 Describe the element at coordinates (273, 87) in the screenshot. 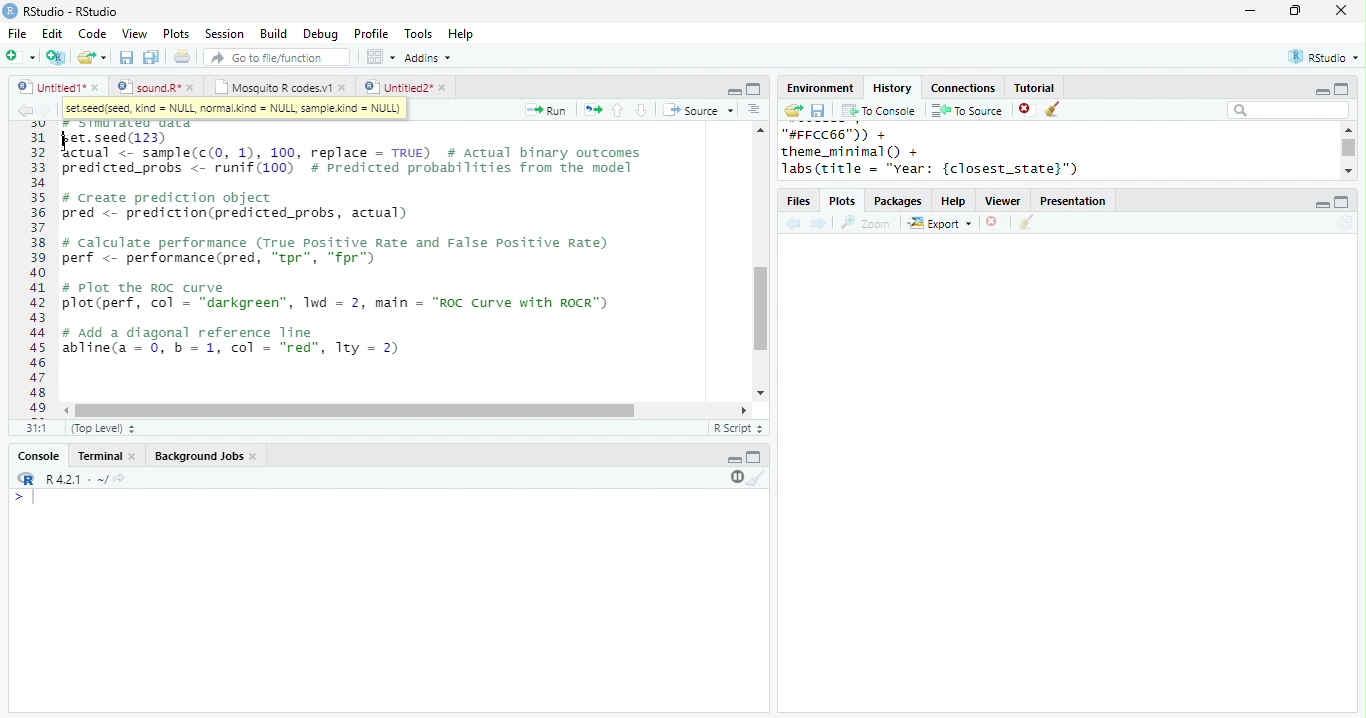

I see `Mosquito R codes.v1` at that location.